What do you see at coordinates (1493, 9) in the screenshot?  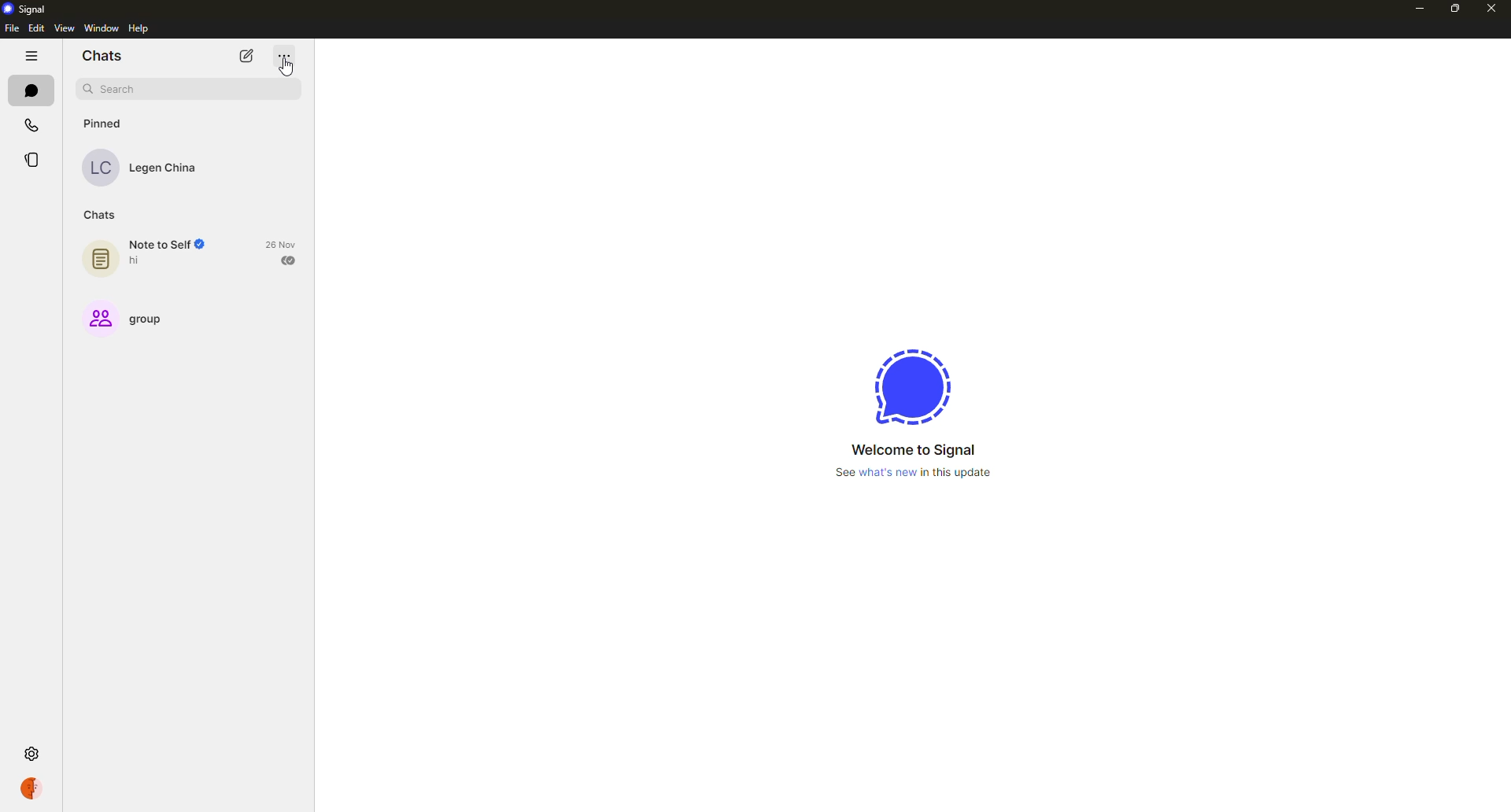 I see `close` at bounding box center [1493, 9].